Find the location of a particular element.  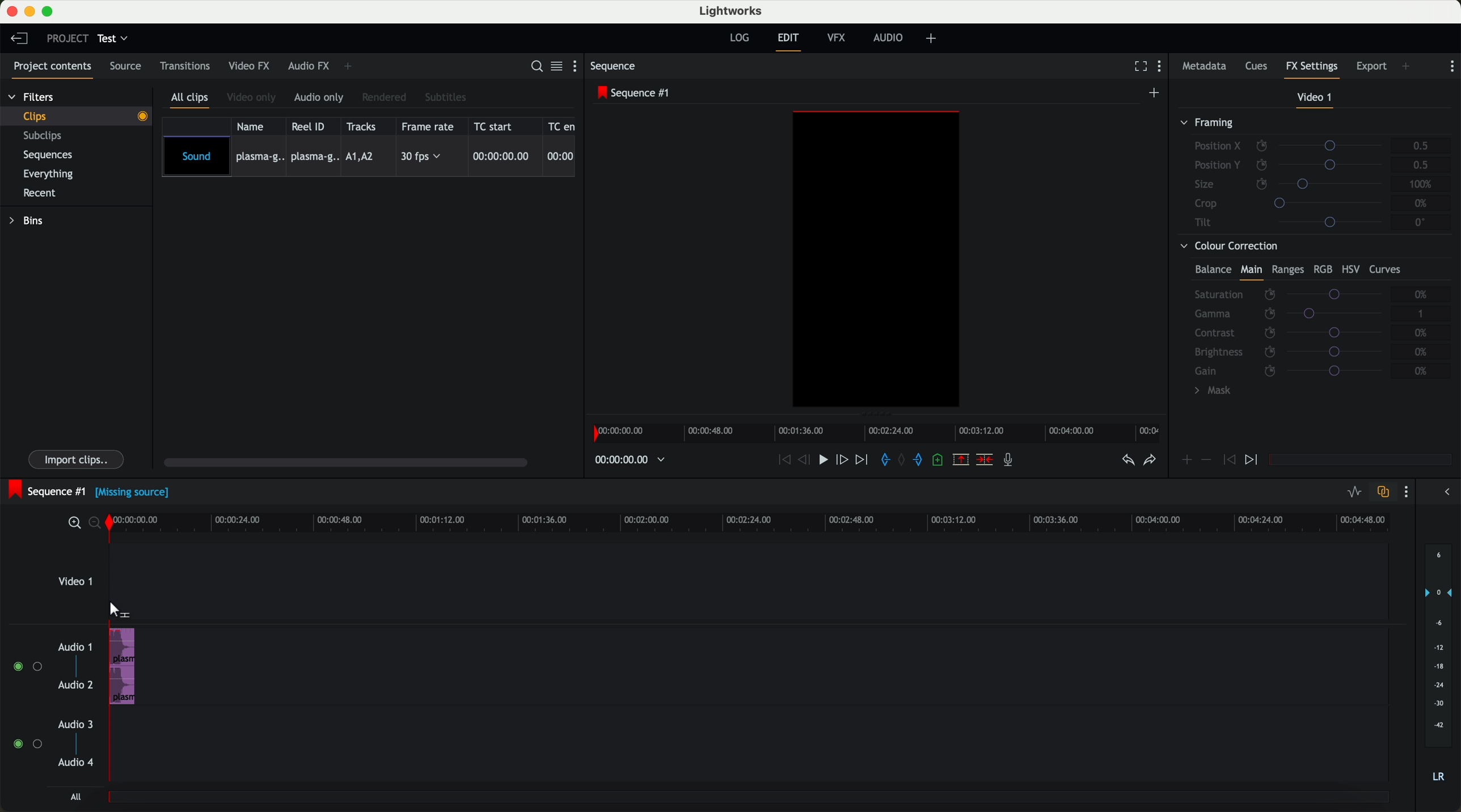

sequence is located at coordinates (617, 67).